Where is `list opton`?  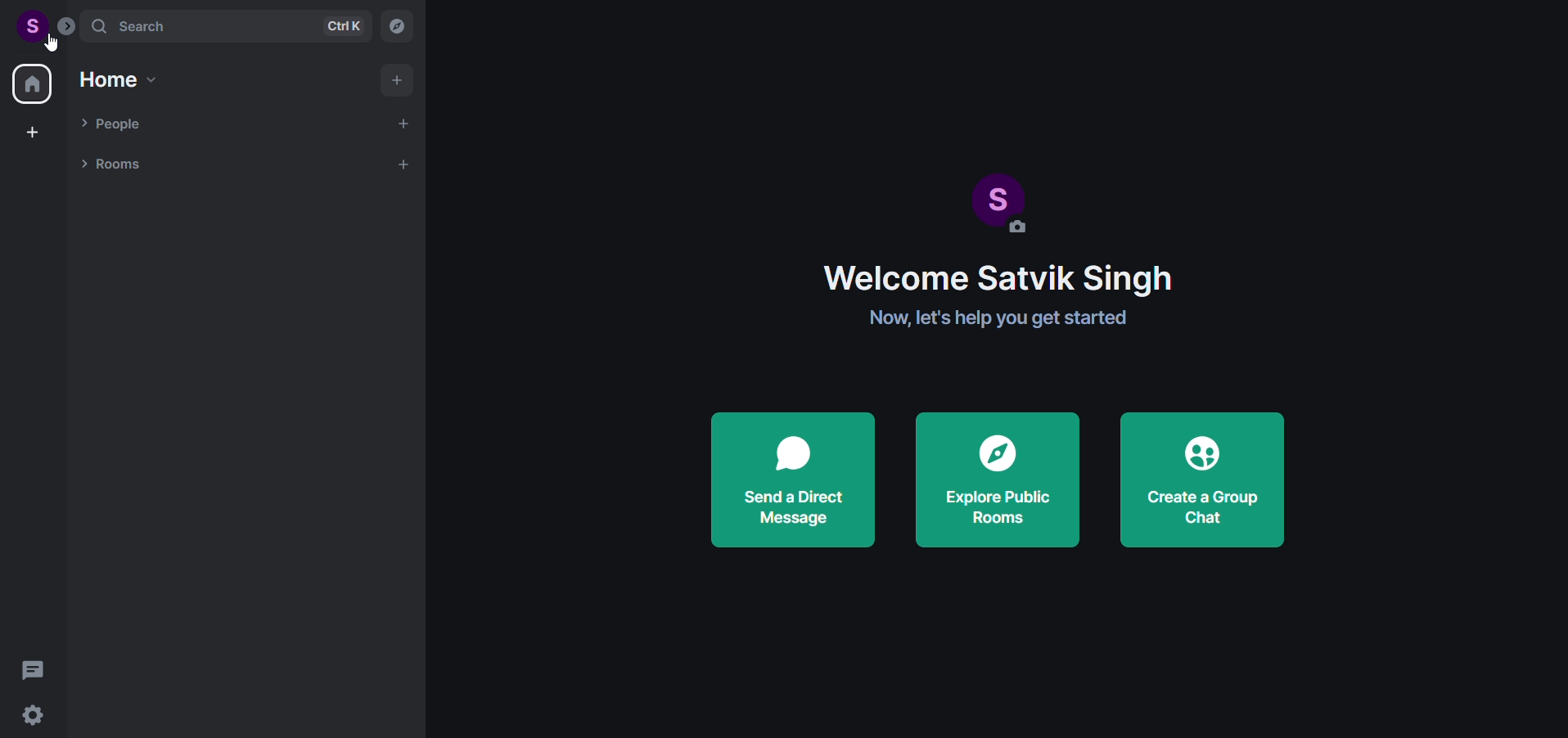
list opton is located at coordinates (408, 164).